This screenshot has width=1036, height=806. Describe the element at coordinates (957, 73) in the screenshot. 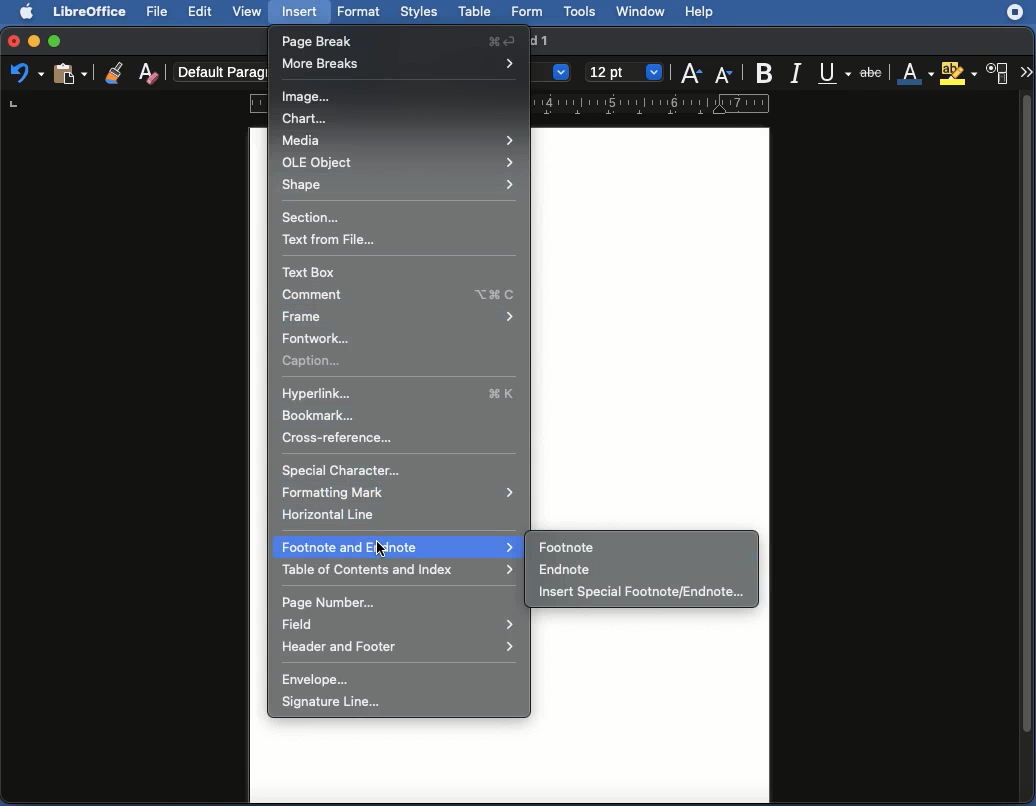

I see `Highlighting color` at that location.